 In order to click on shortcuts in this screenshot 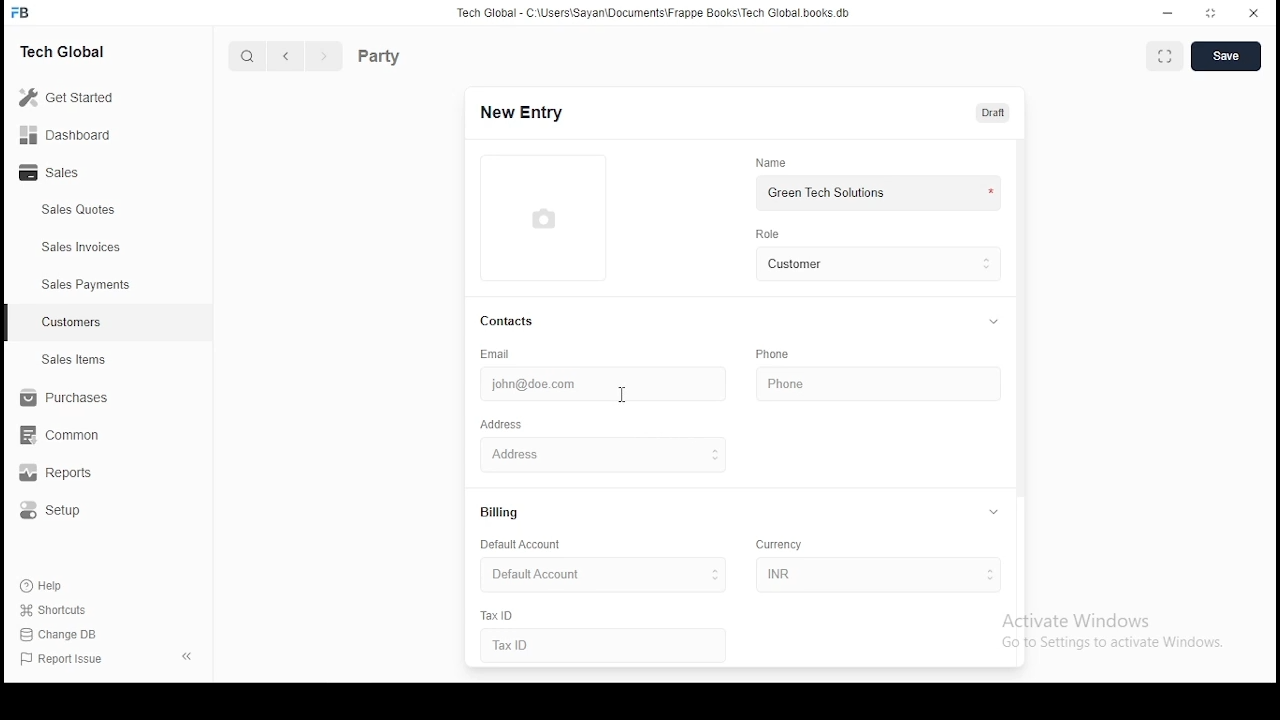, I will do `click(52, 611)`.